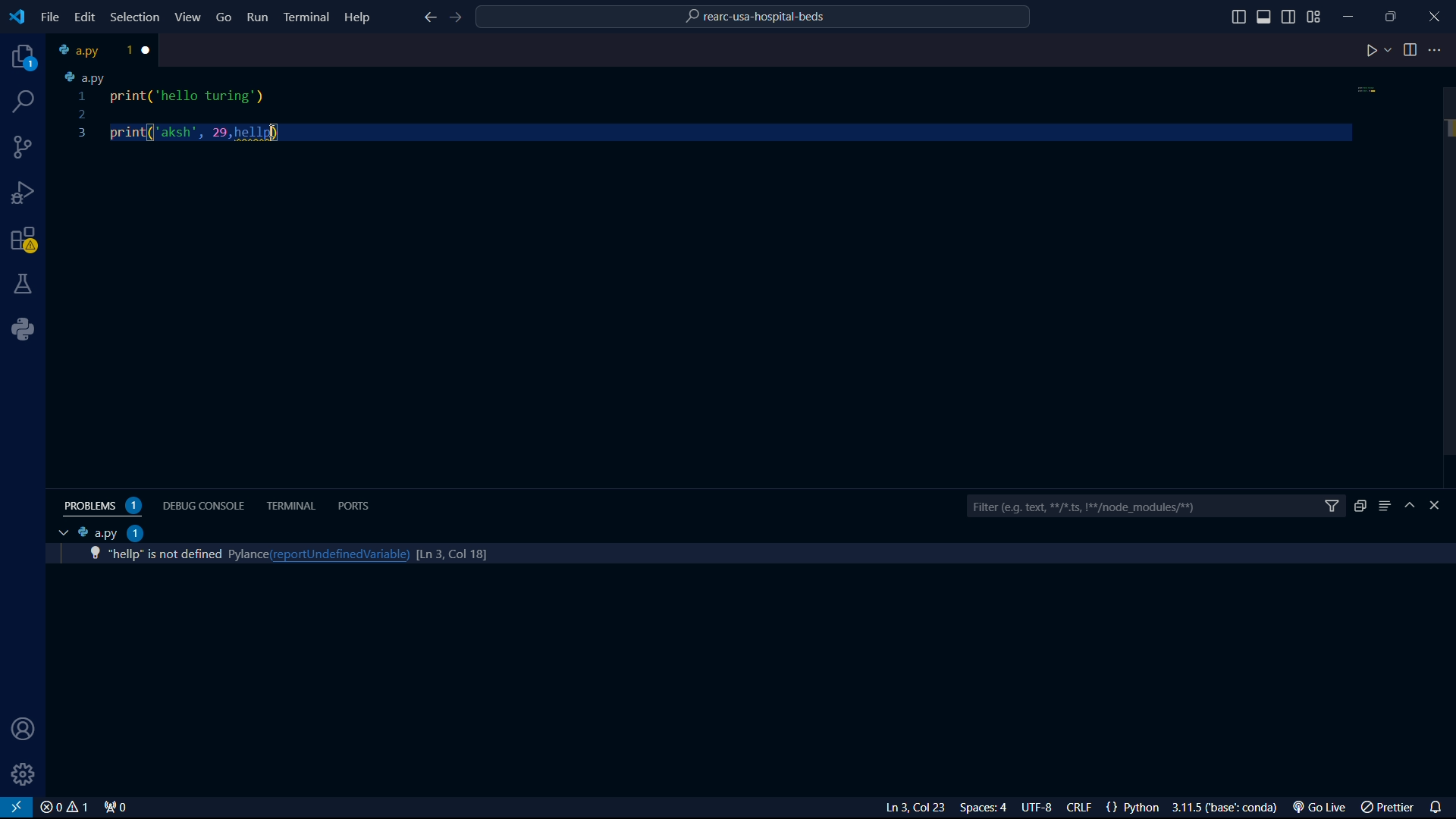  I want to click on Help, so click(361, 16).